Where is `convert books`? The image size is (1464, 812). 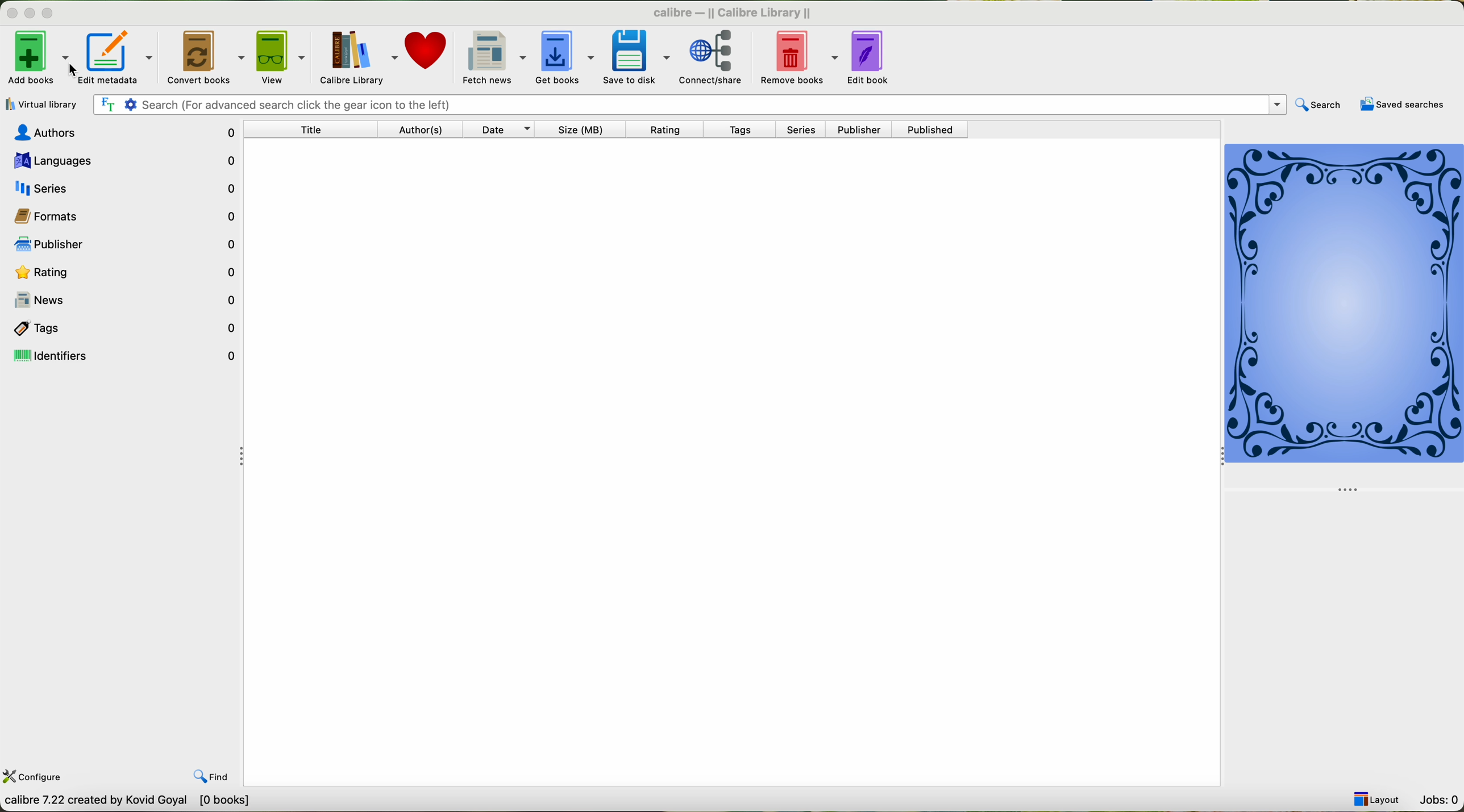 convert books is located at coordinates (205, 58).